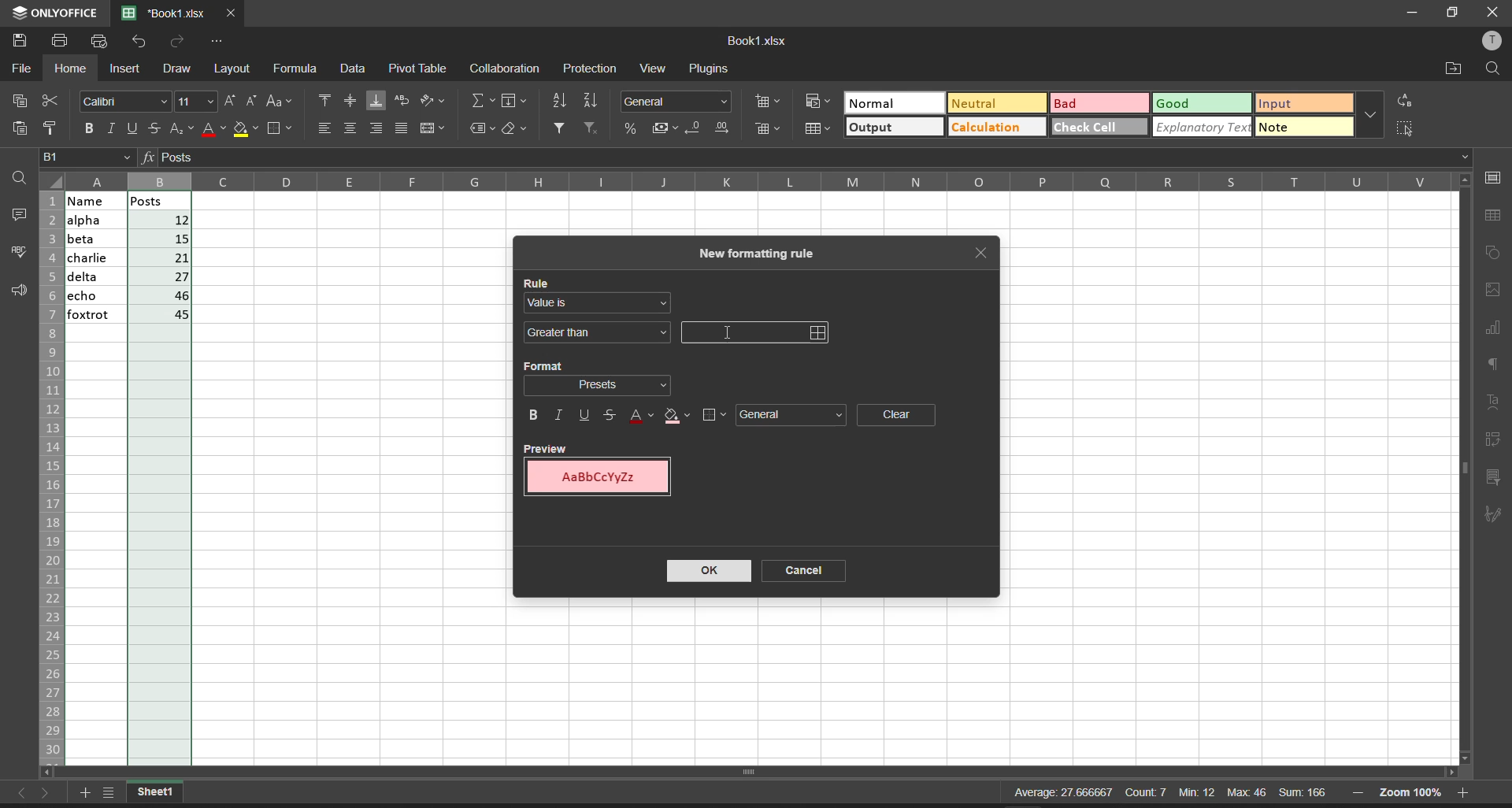  I want to click on increment font size, so click(230, 95).